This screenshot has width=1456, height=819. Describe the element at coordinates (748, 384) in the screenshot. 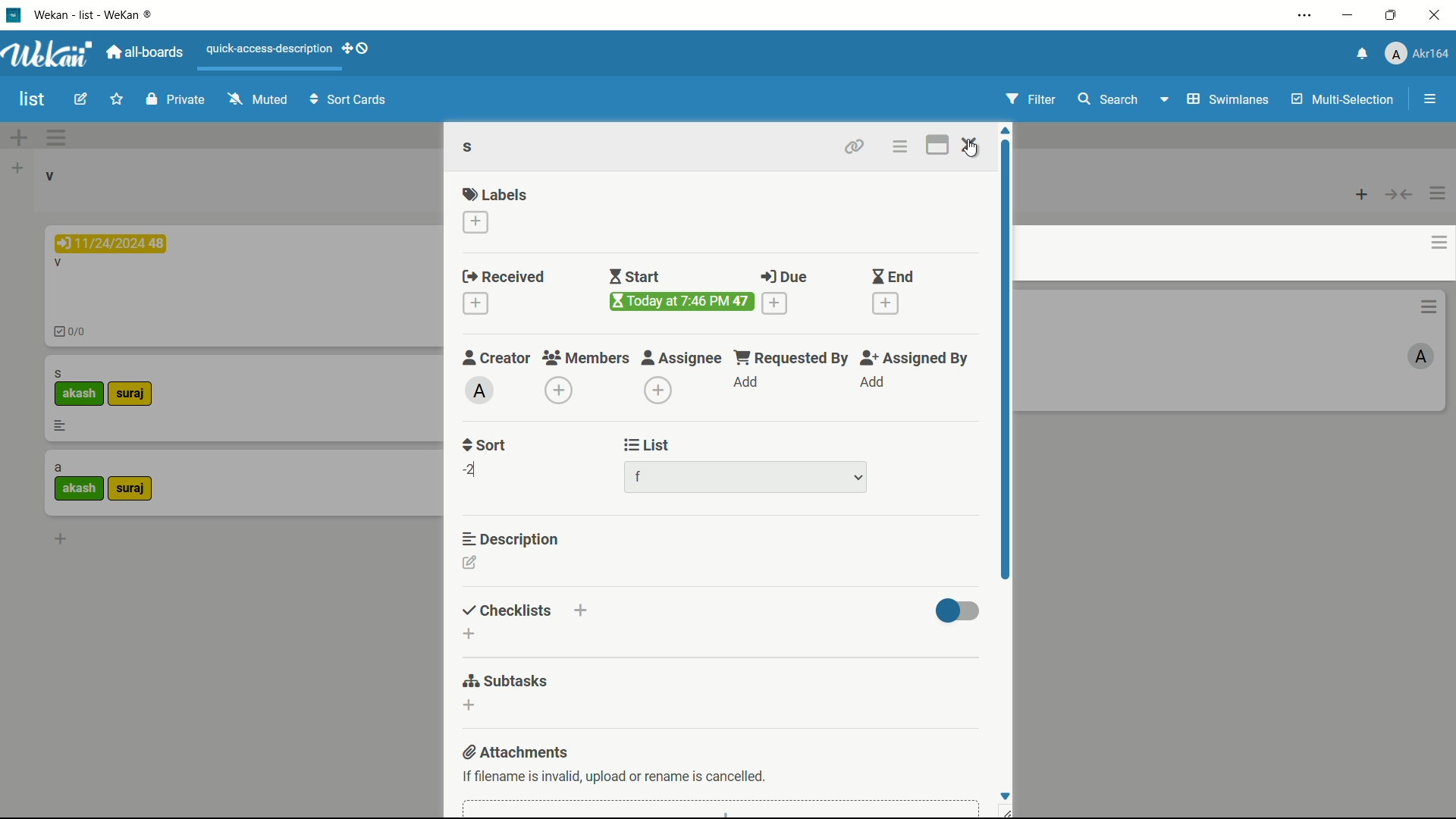

I see `add` at that location.